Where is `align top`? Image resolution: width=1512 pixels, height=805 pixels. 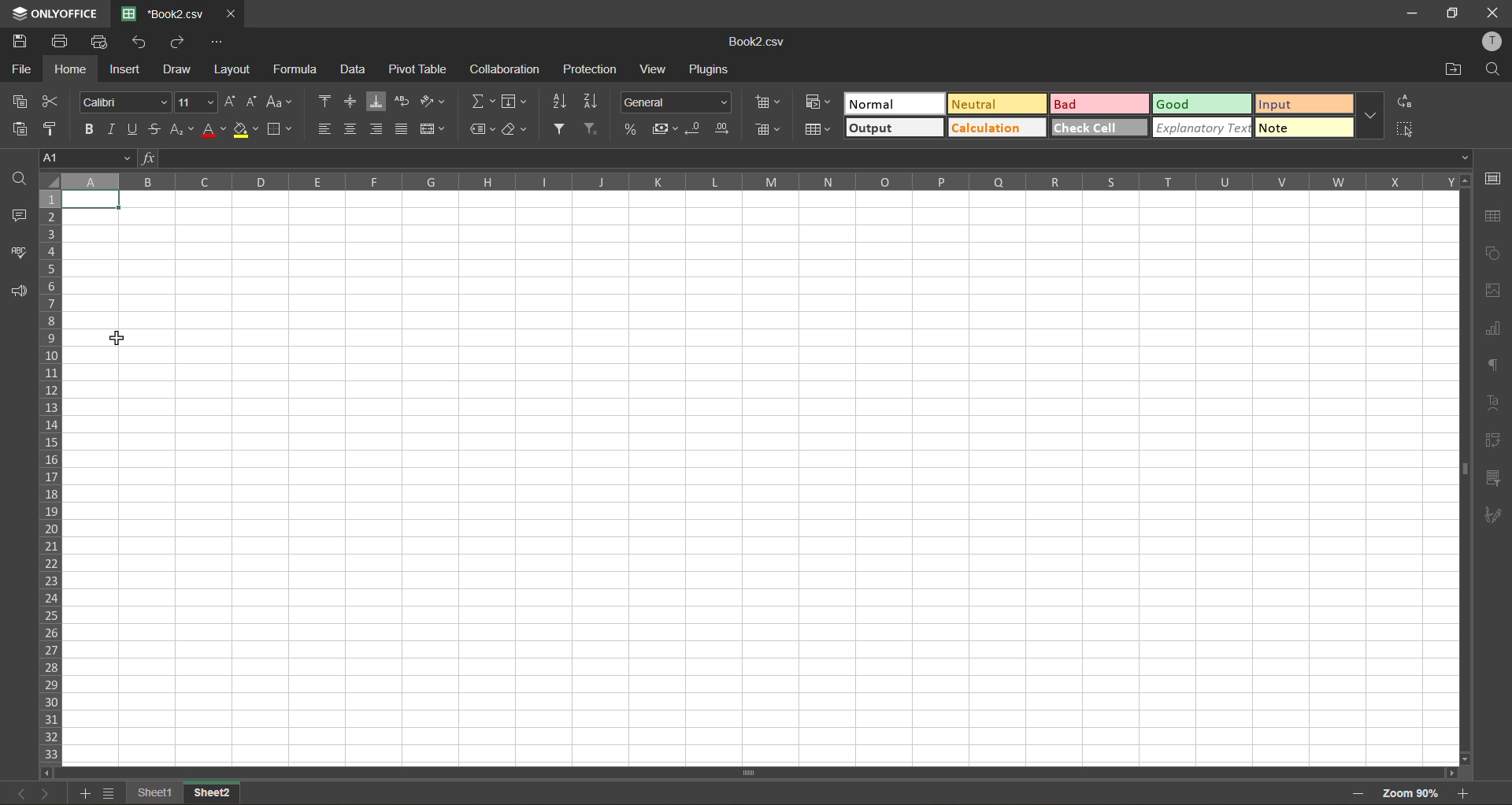
align top is located at coordinates (325, 103).